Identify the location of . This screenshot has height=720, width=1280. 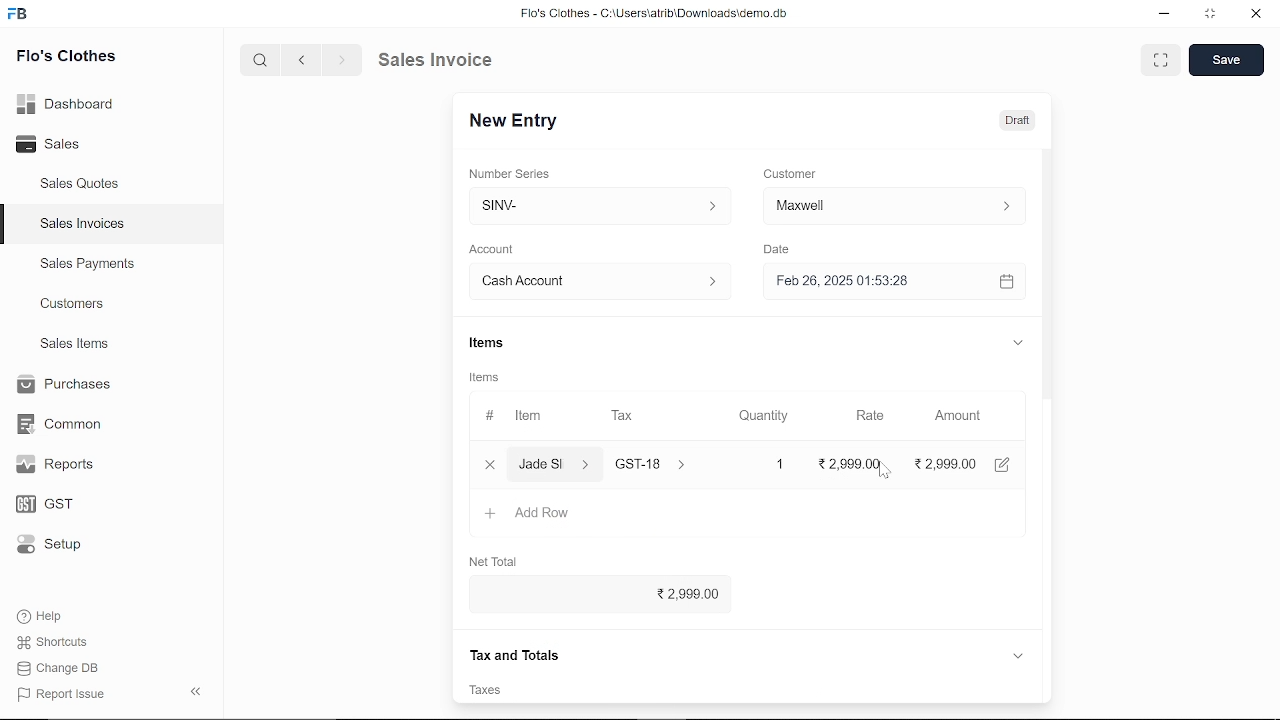
(487, 379).